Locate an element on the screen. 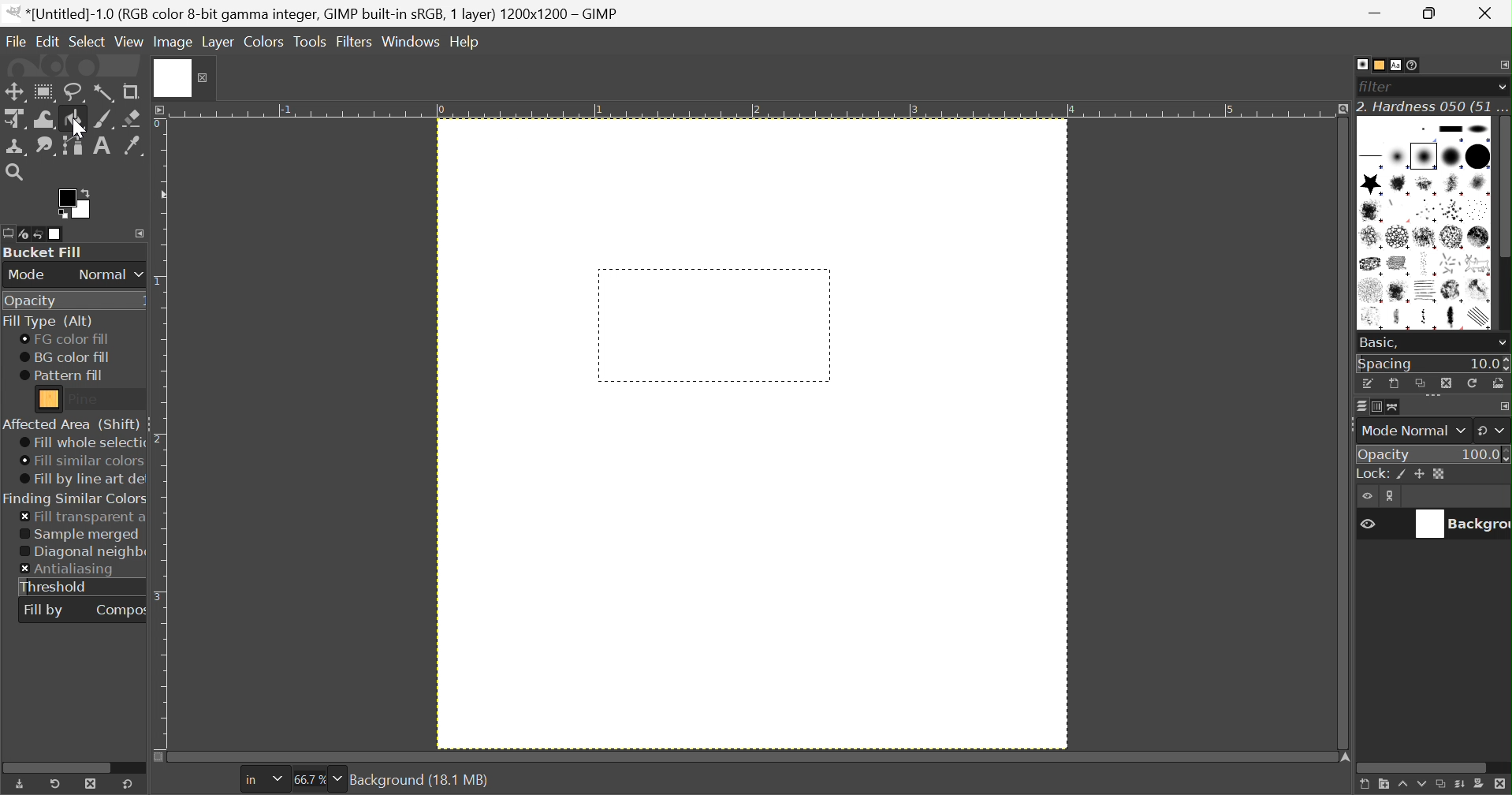 Image resolution: width=1512 pixels, height=795 pixels. Minimize is located at coordinates (1377, 13).